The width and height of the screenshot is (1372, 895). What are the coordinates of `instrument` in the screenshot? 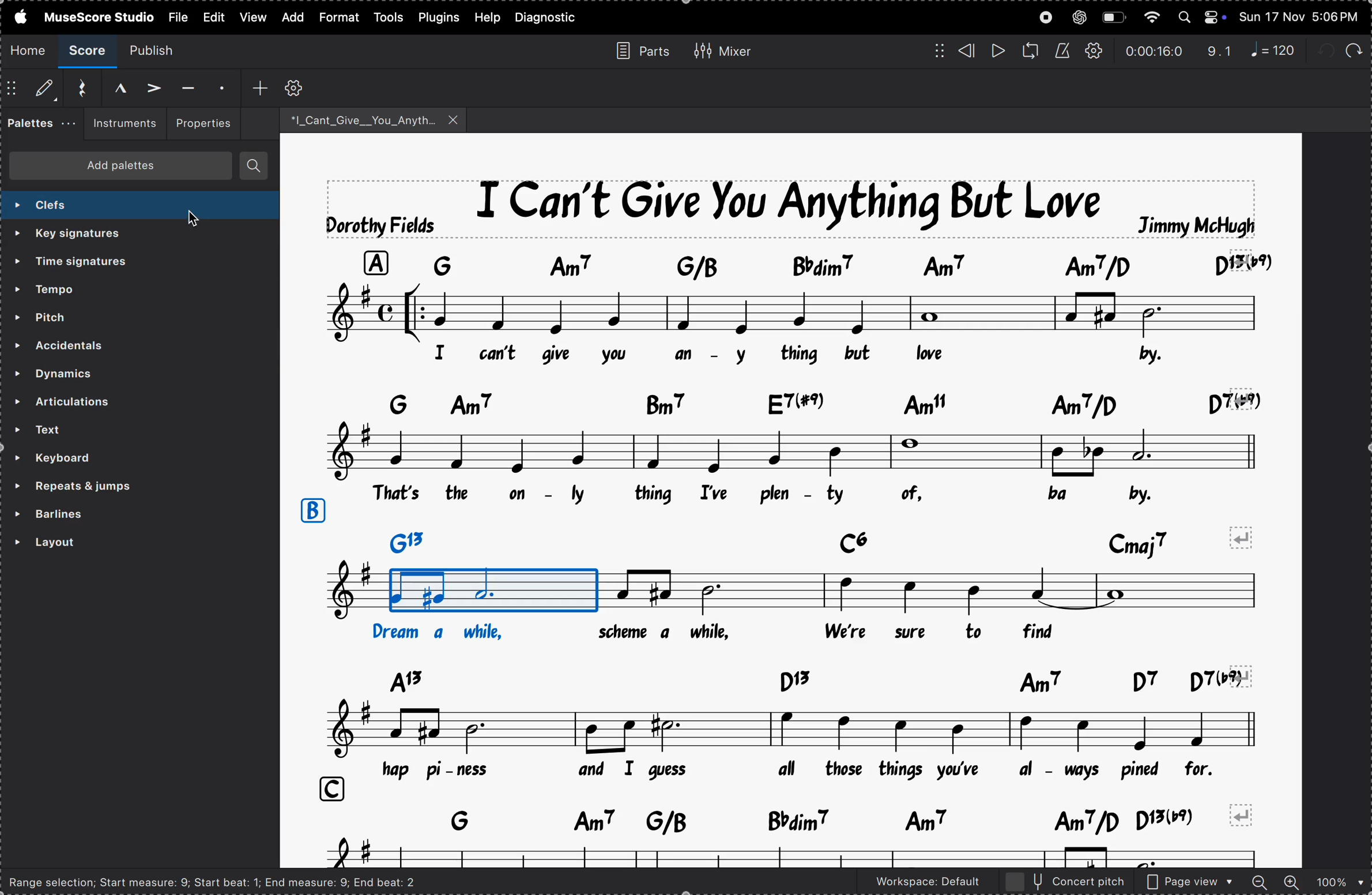 It's located at (120, 124).